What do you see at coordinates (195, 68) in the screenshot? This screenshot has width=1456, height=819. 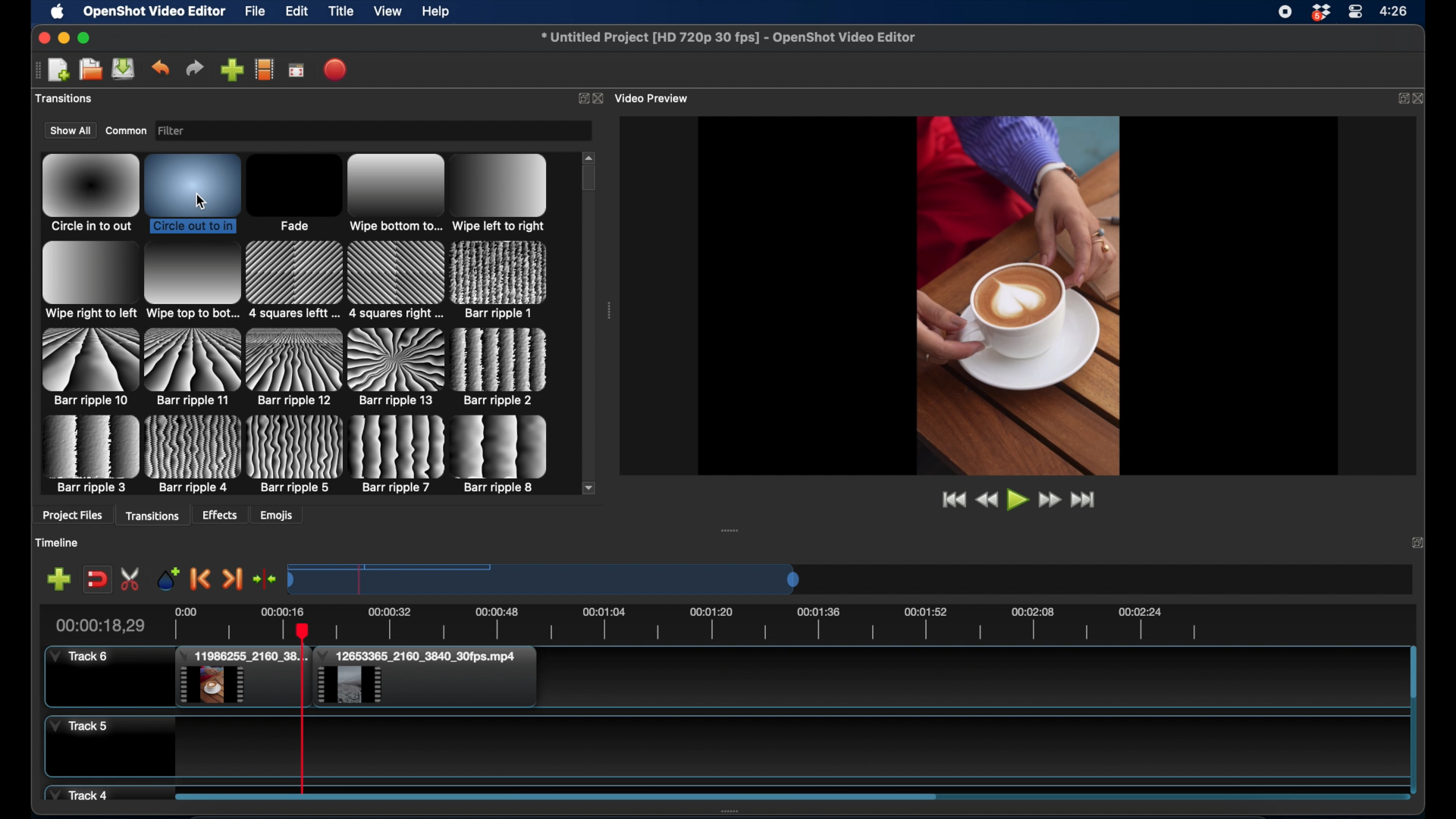 I see `redo` at bounding box center [195, 68].